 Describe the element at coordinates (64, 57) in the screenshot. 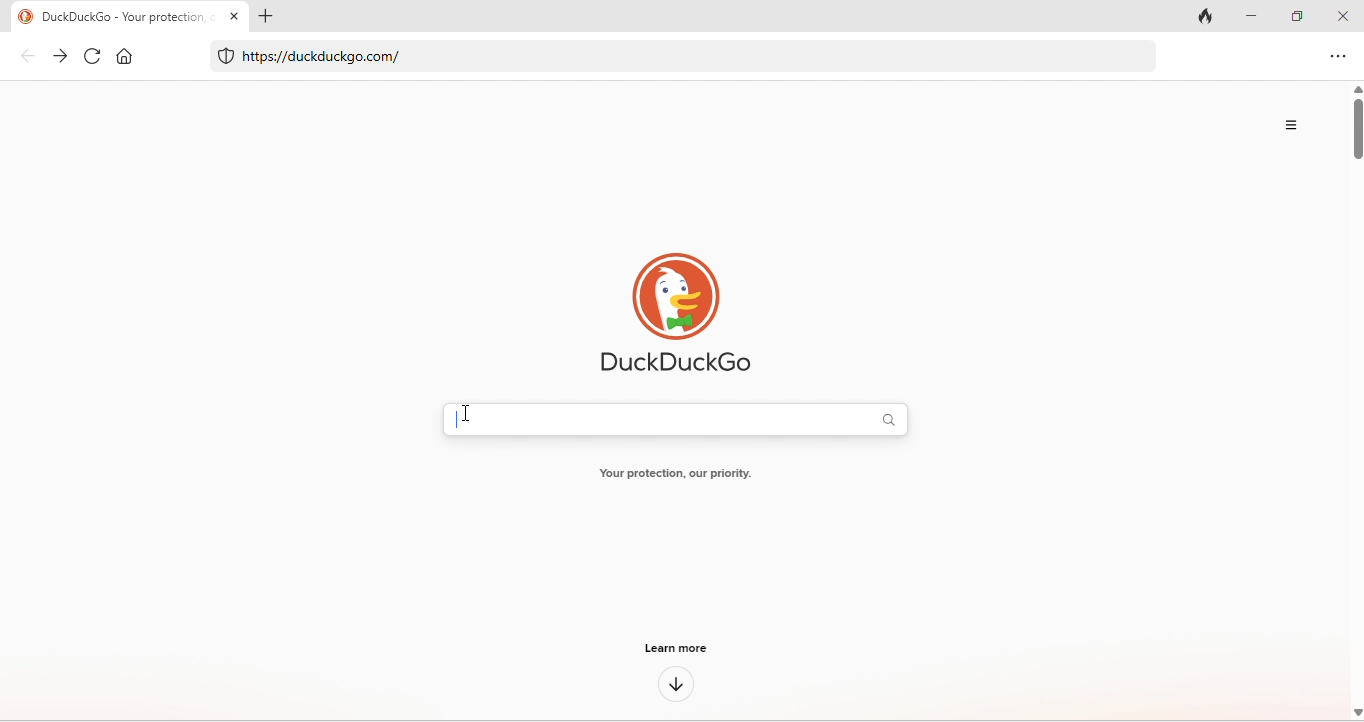

I see `forward` at that location.